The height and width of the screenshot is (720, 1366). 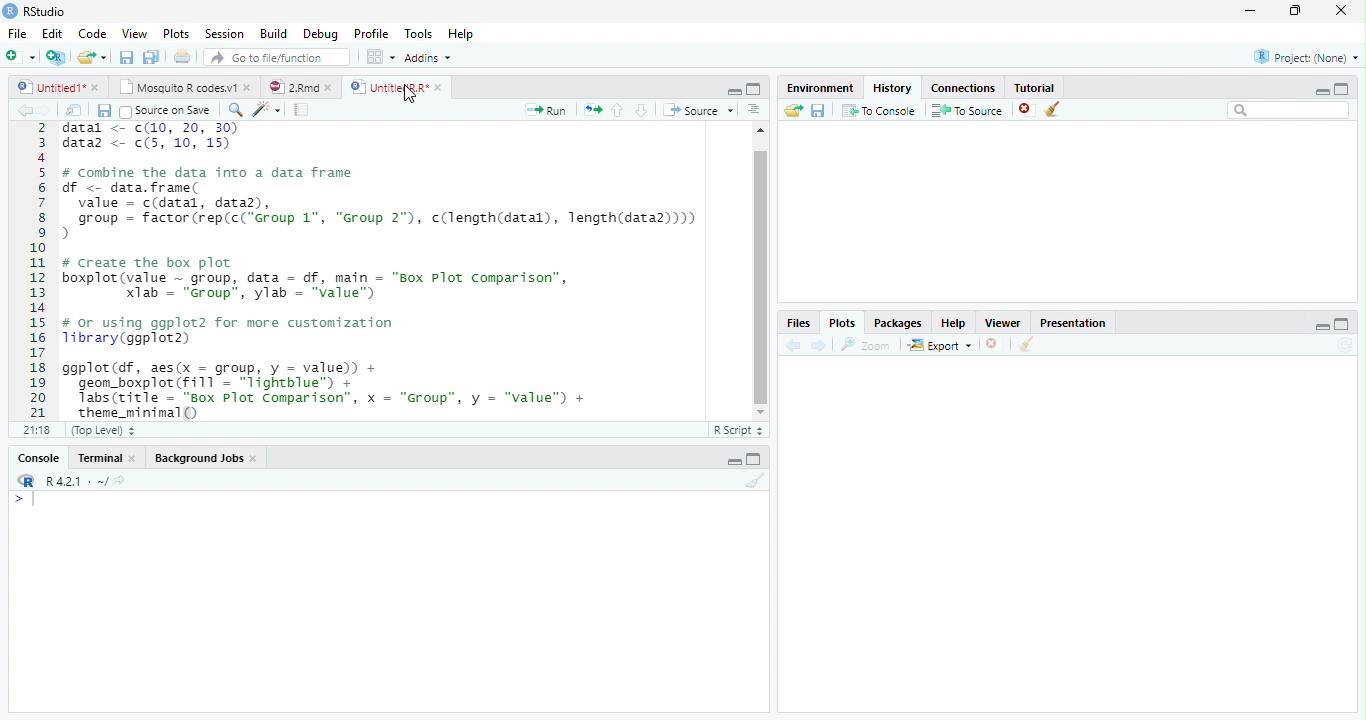 What do you see at coordinates (954, 322) in the screenshot?
I see `Help` at bounding box center [954, 322].